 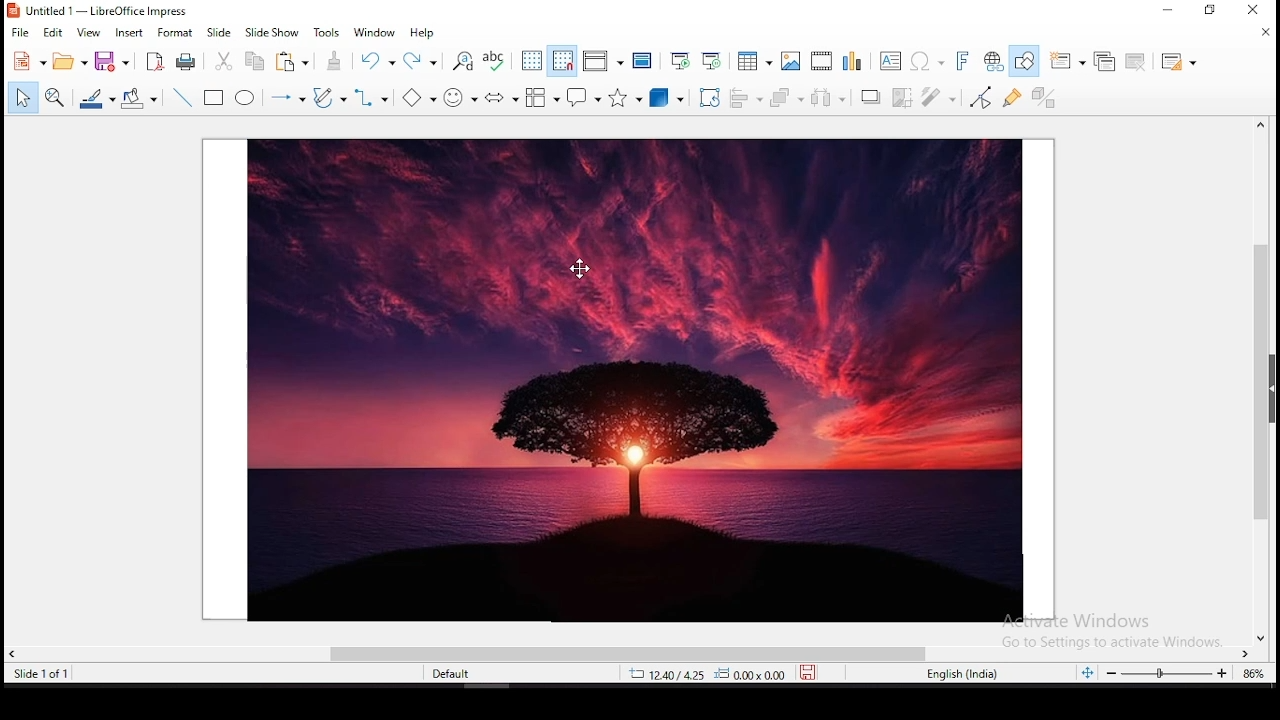 What do you see at coordinates (68, 62) in the screenshot?
I see `open` at bounding box center [68, 62].